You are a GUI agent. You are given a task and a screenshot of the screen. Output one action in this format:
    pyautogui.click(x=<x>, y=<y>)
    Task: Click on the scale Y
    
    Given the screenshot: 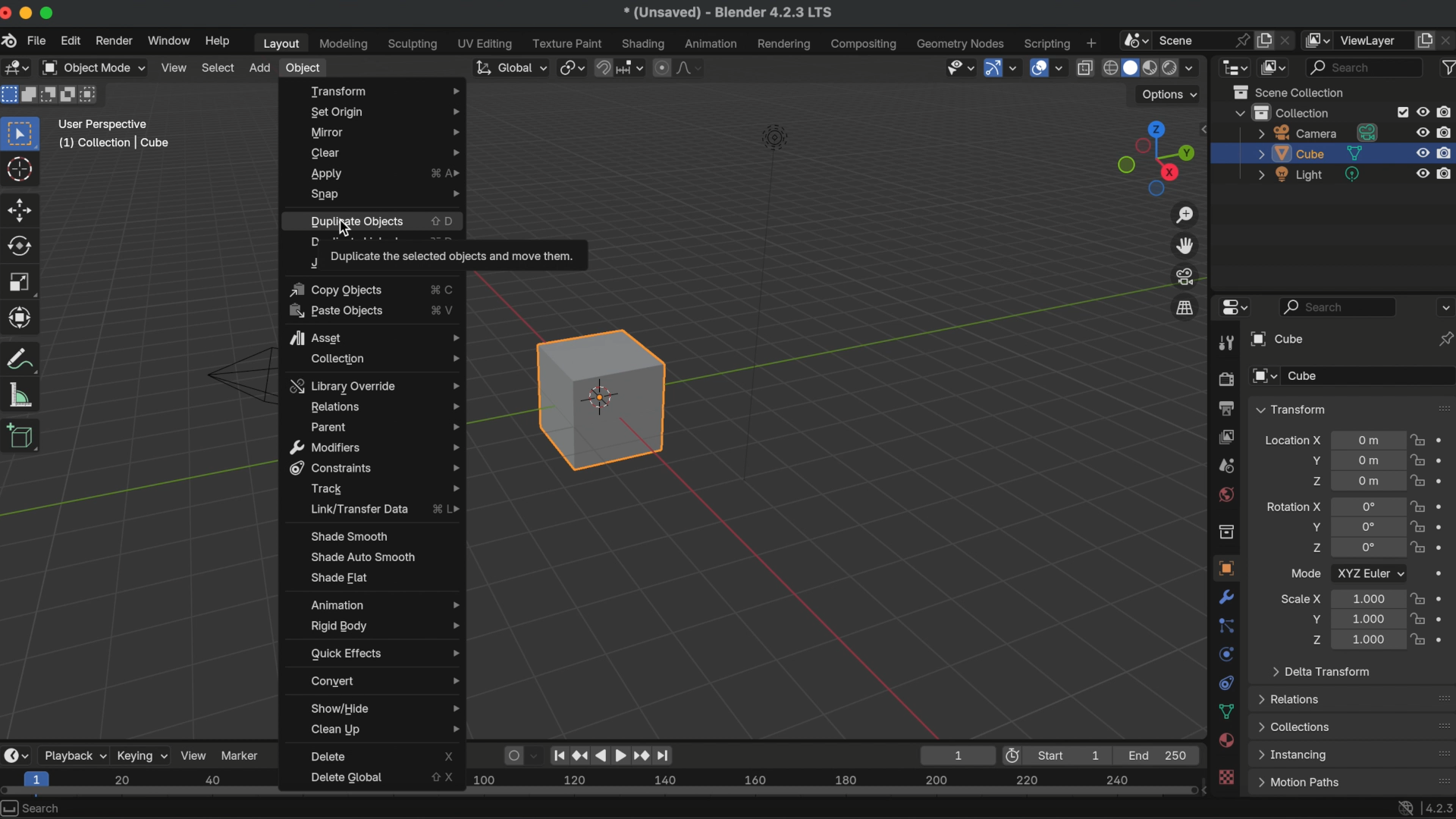 What is the action you would take?
    pyautogui.click(x=1312, y=619)
    